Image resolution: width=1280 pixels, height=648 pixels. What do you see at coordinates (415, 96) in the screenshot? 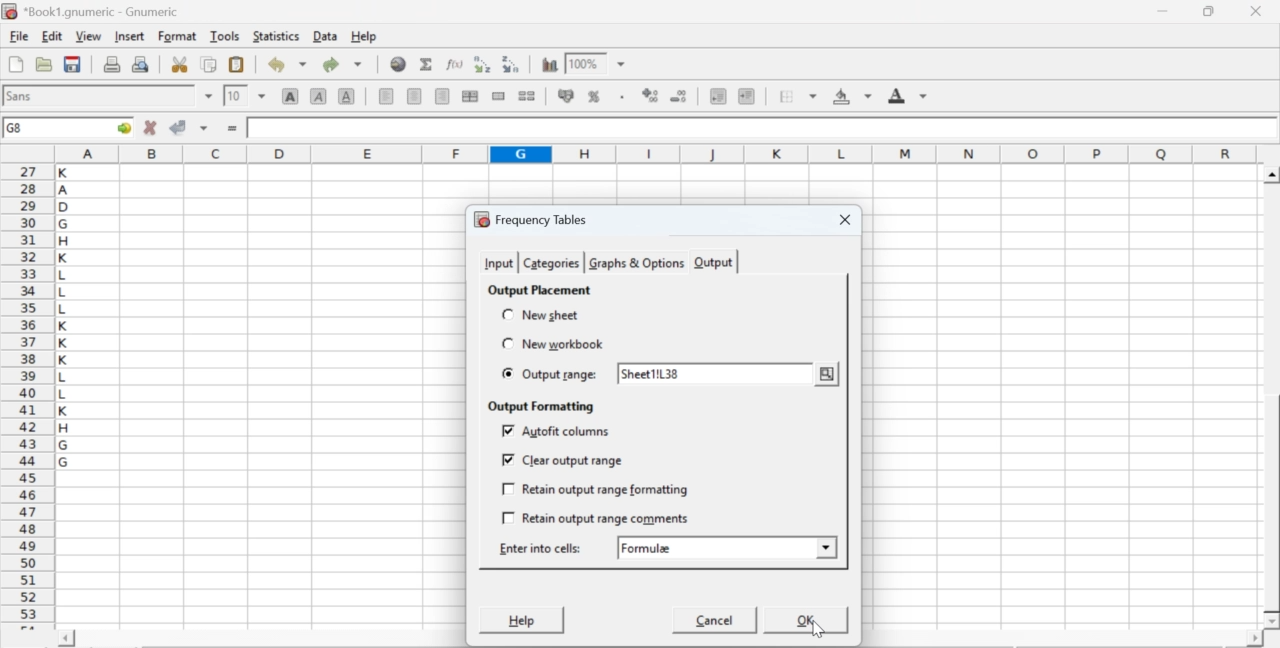
I see `center horizontally` at bounding box center [415, 96].